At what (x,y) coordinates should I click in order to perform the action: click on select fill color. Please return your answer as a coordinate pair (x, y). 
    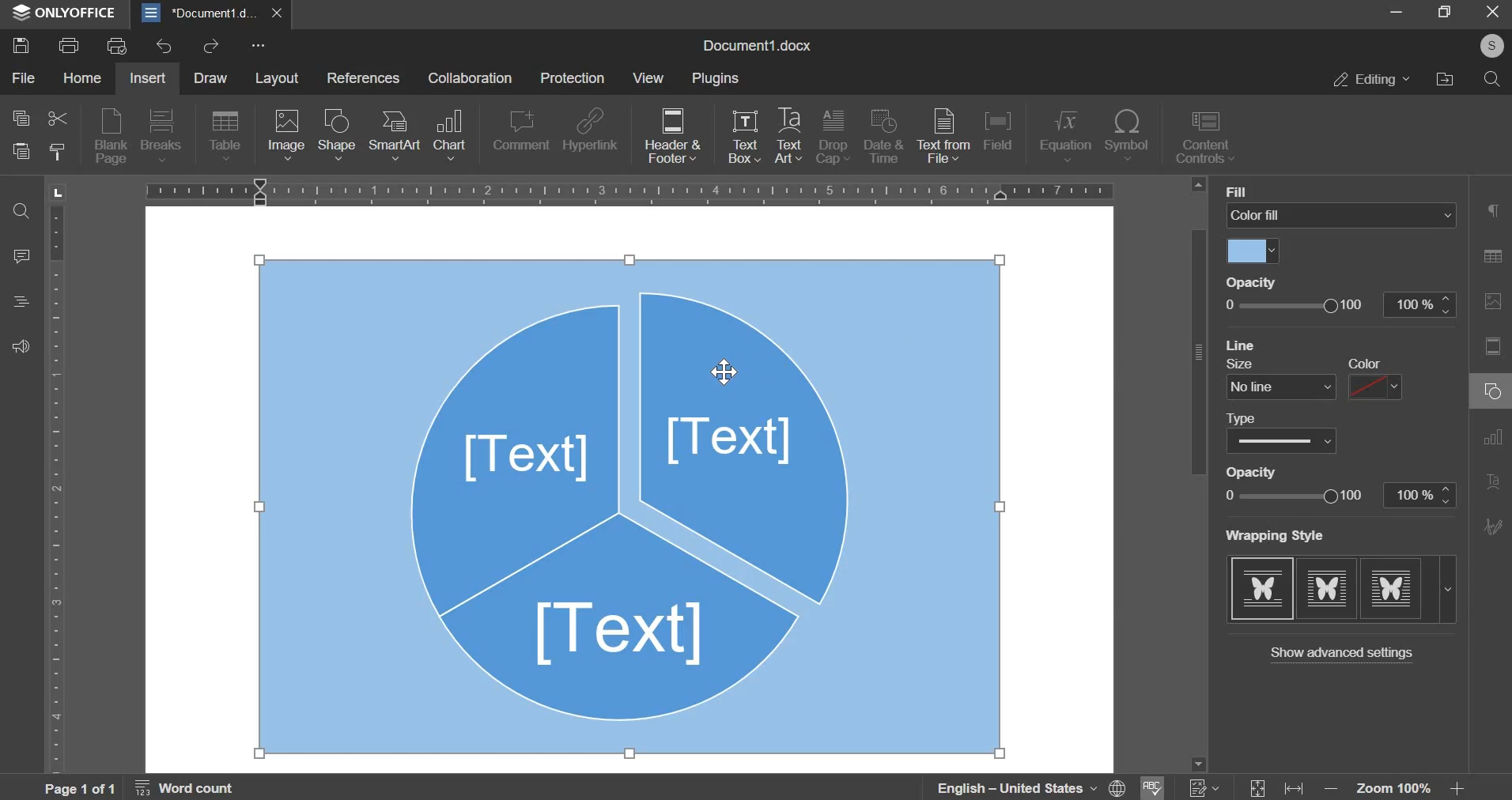
    Looking at the image, I should click on (1257, 252).